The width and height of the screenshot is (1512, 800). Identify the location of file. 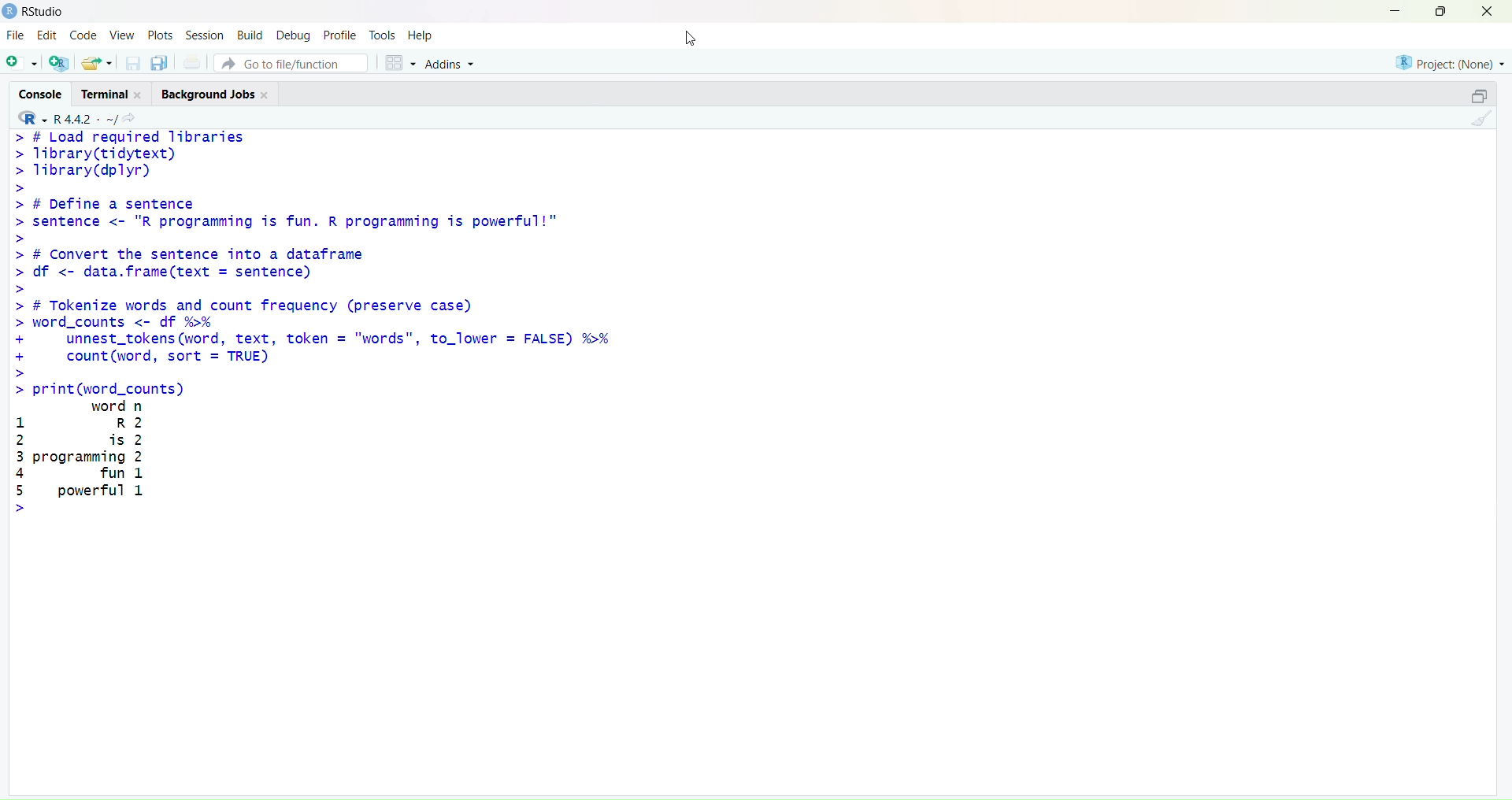
(17, 35).